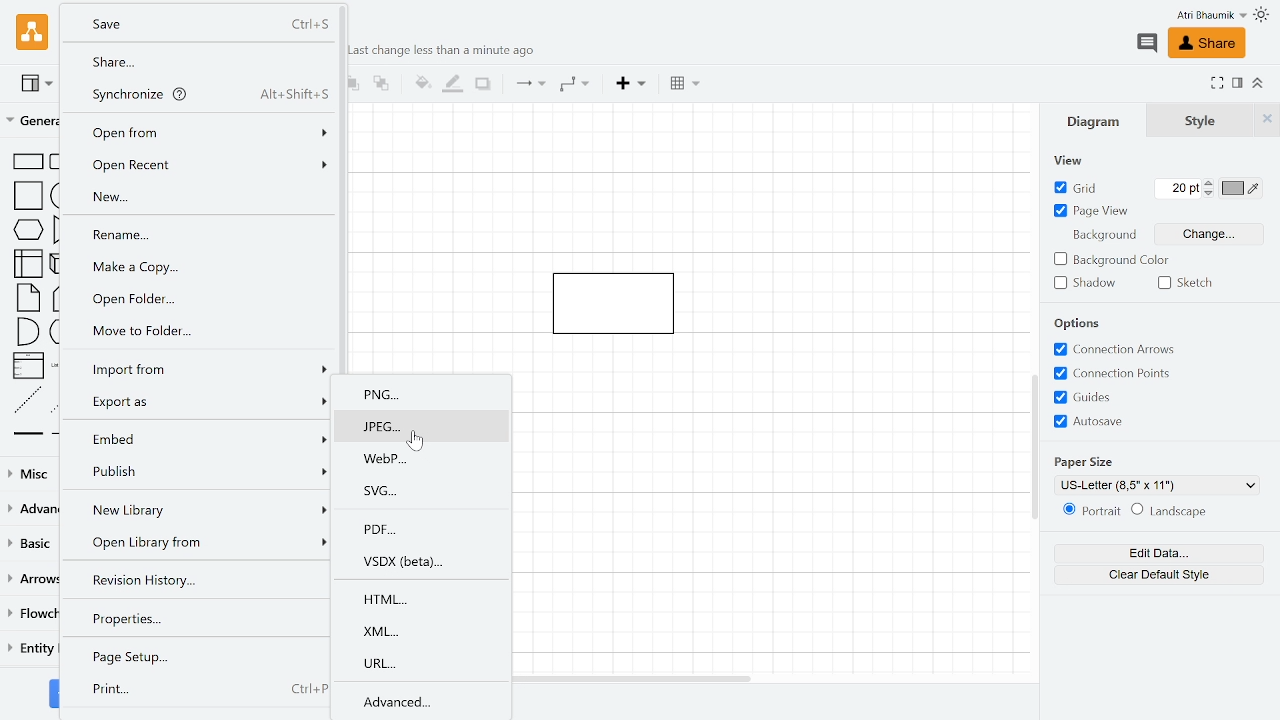 This screenshot has height=720, width=1280. Describe the element at coordinates (1126, 374) in the screenshot. I see `Connection points` at that location.